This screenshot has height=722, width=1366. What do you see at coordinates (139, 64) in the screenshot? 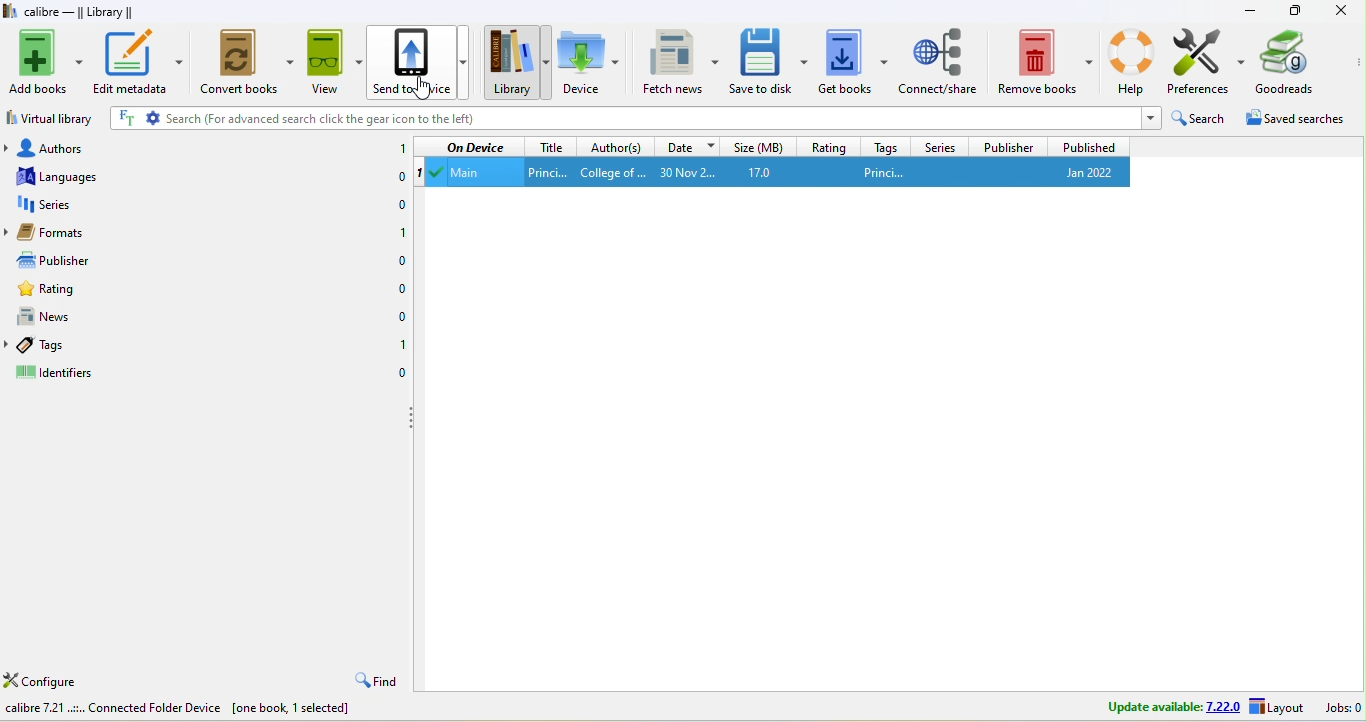
I see `edit metadata` at bounding box center [139, 64].